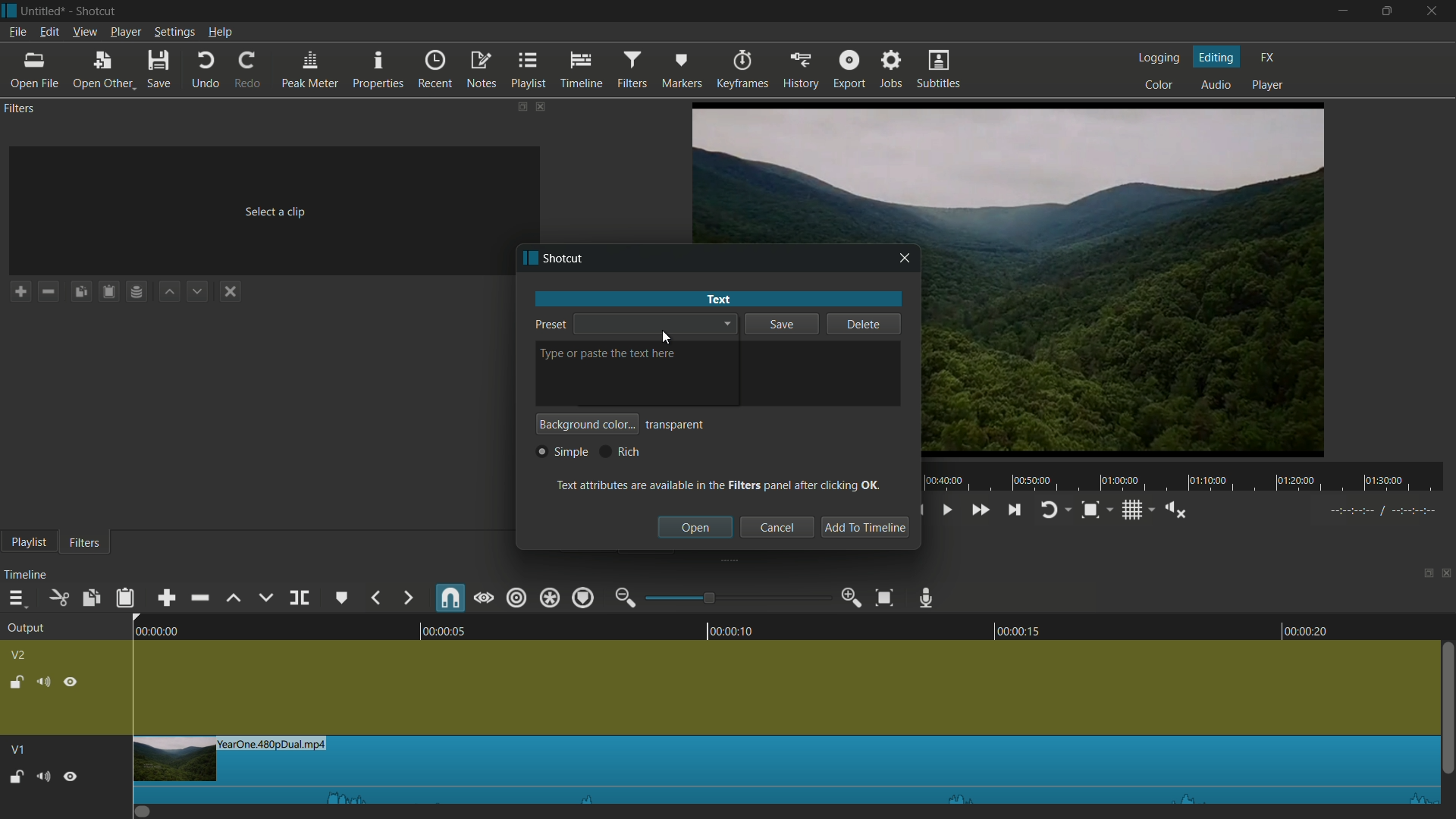 This screenshot has height=819, width=1456. I want to click on Select a clip, so click(268, 206).